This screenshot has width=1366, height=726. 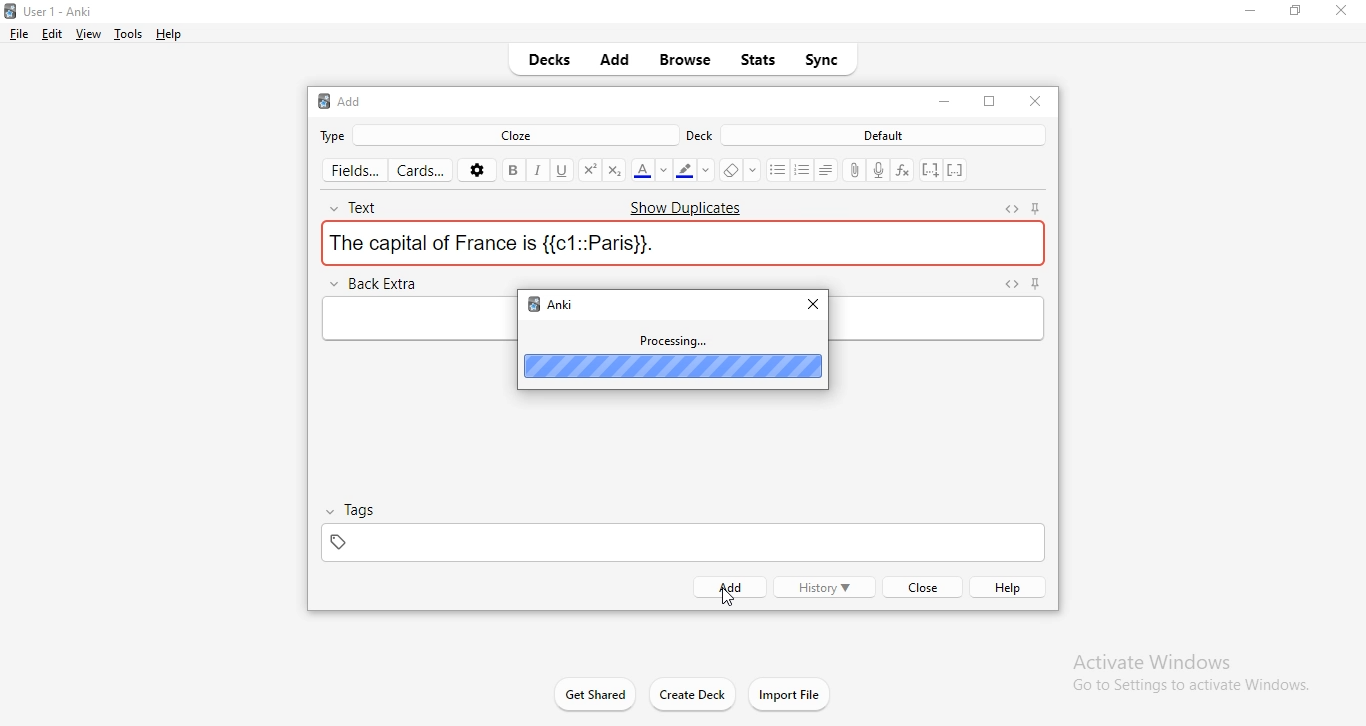 I want to click on Show Duplicates, so click(x=682, y=206).